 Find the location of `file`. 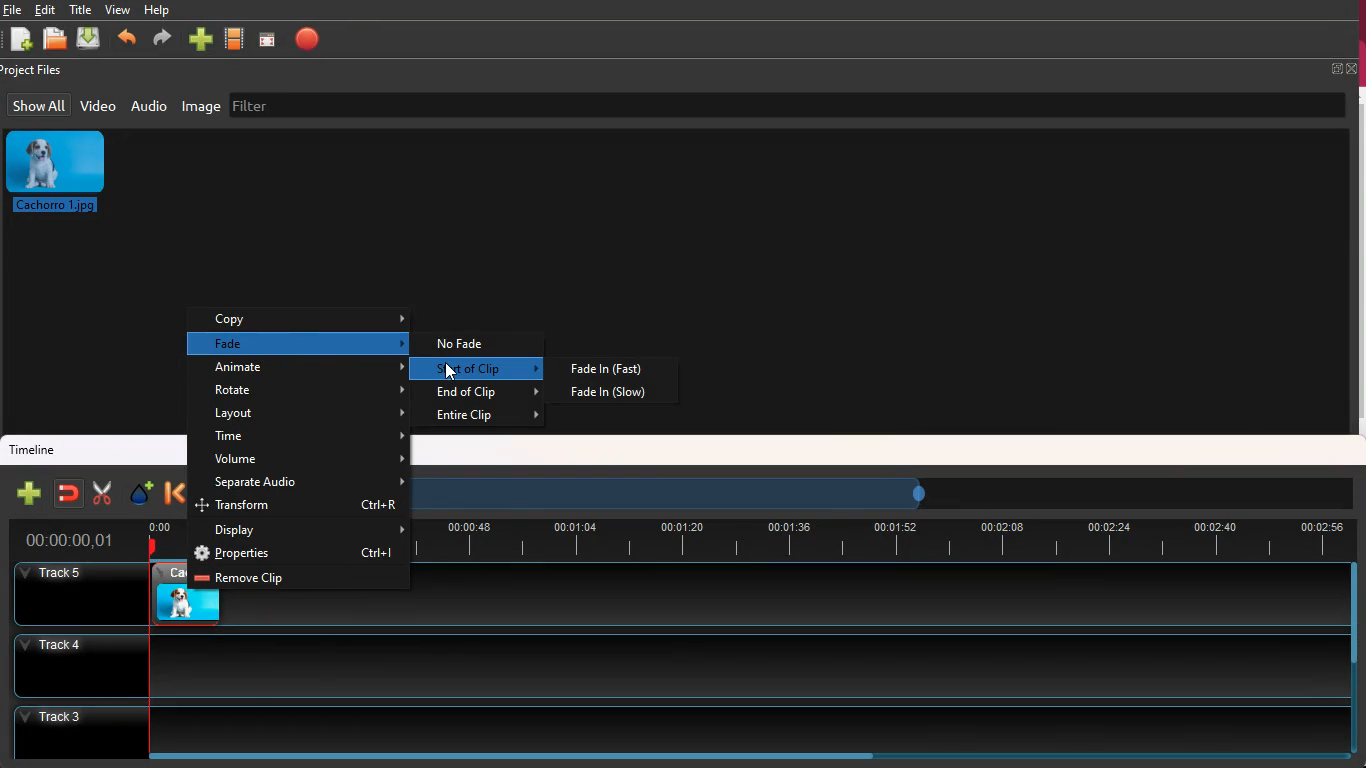

file is located at coordinates (12, 9).